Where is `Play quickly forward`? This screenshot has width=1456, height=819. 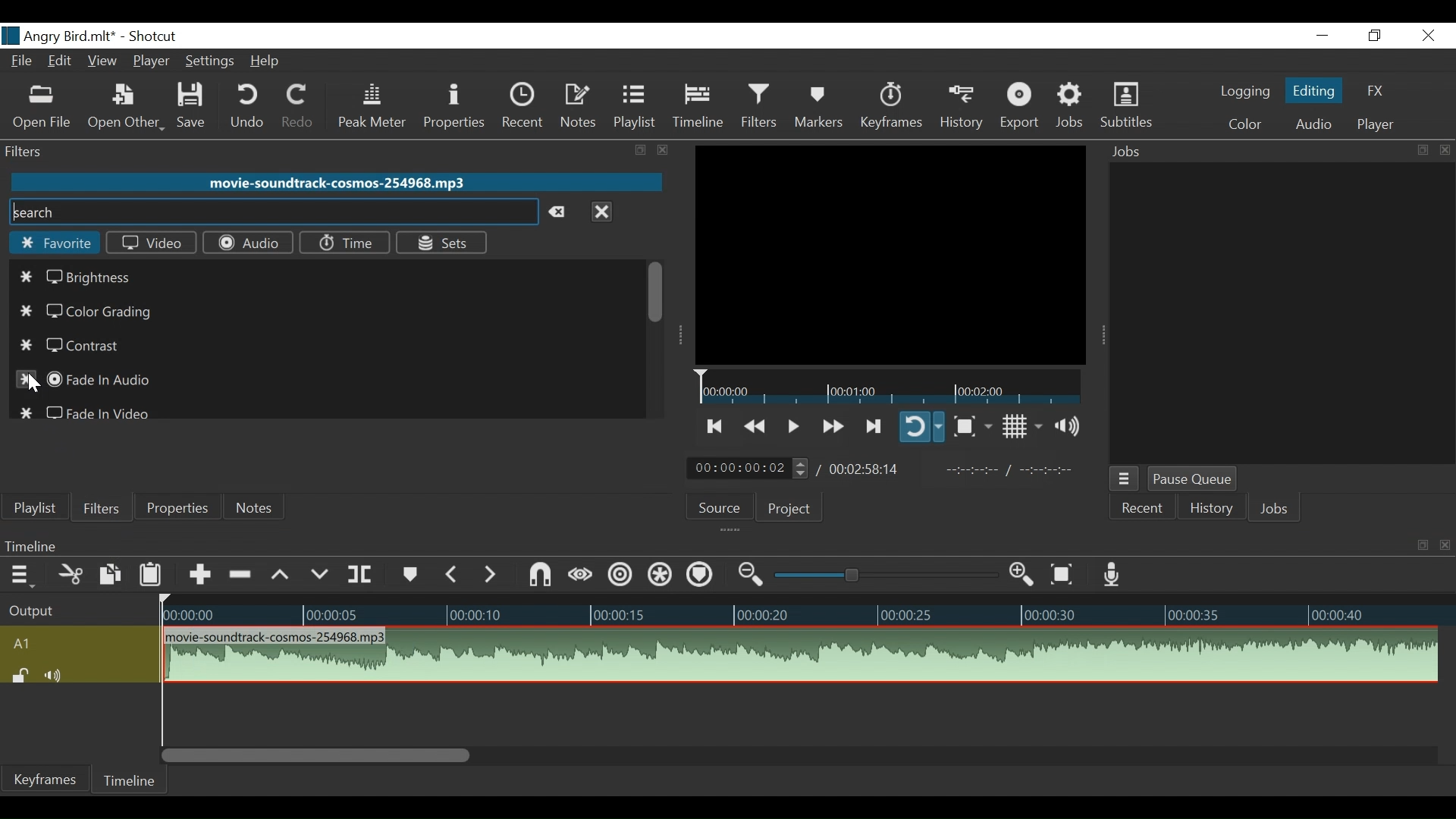 Play quickly forward is located at coordinates (831, 425).